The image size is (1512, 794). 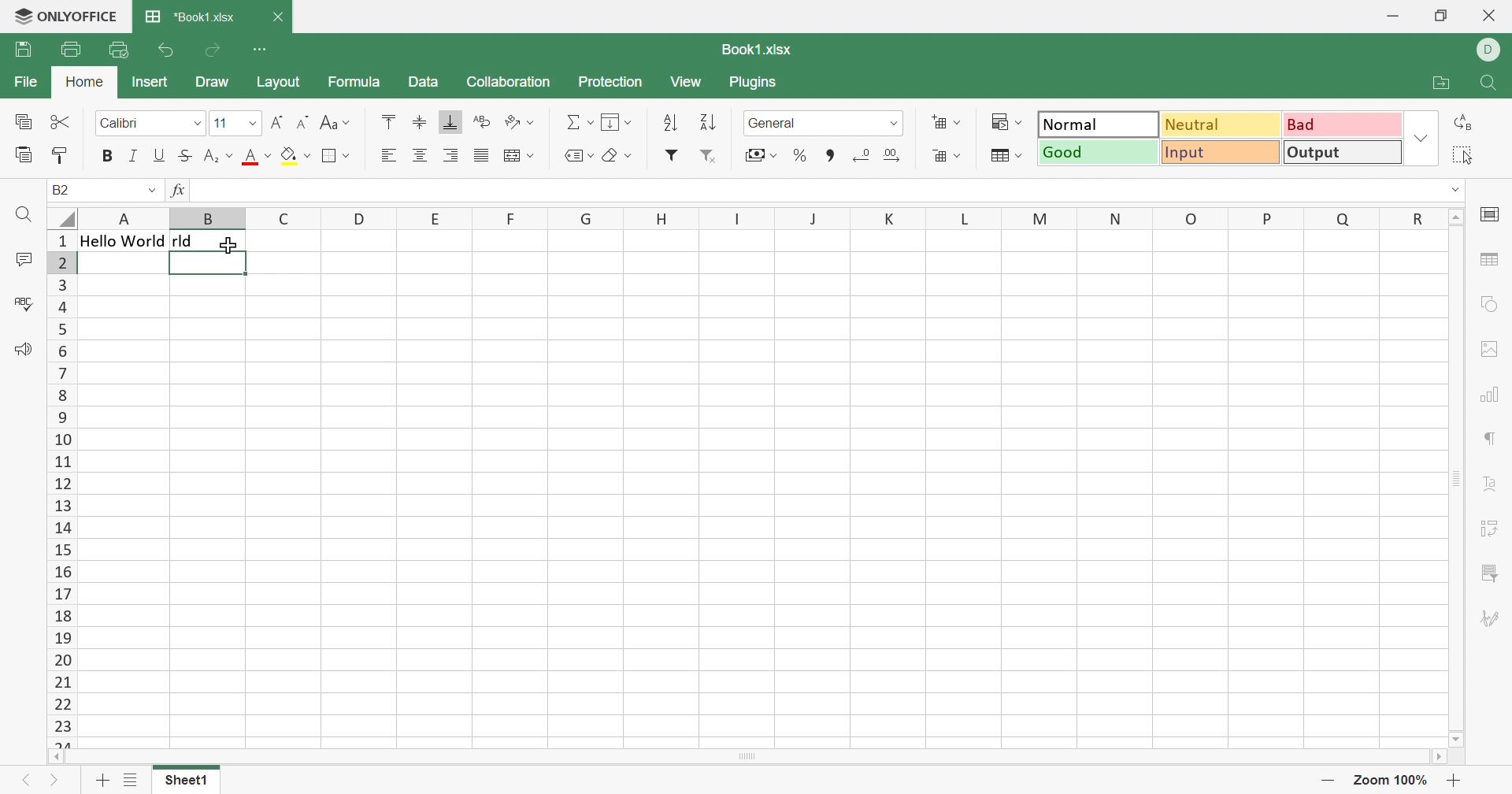 I want to click on Drop down, so click(x=147, y=190).